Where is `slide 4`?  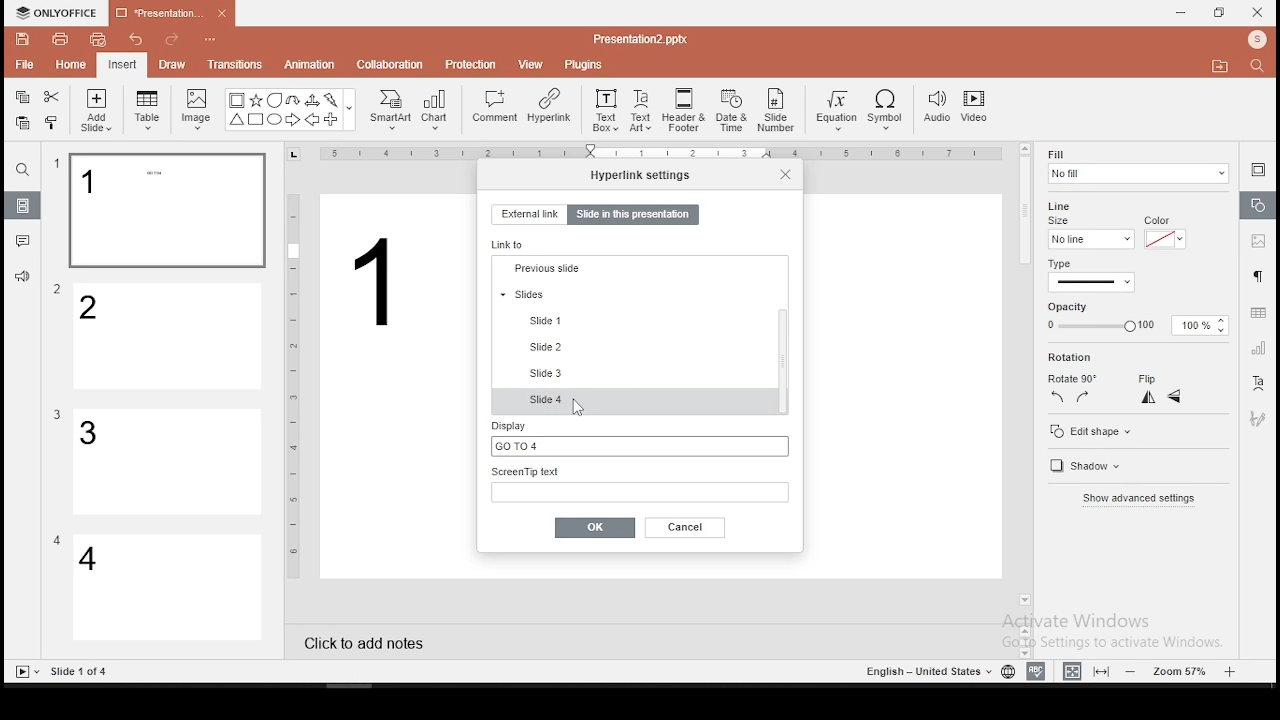
slide 4 is located at coordinates (168, 589).